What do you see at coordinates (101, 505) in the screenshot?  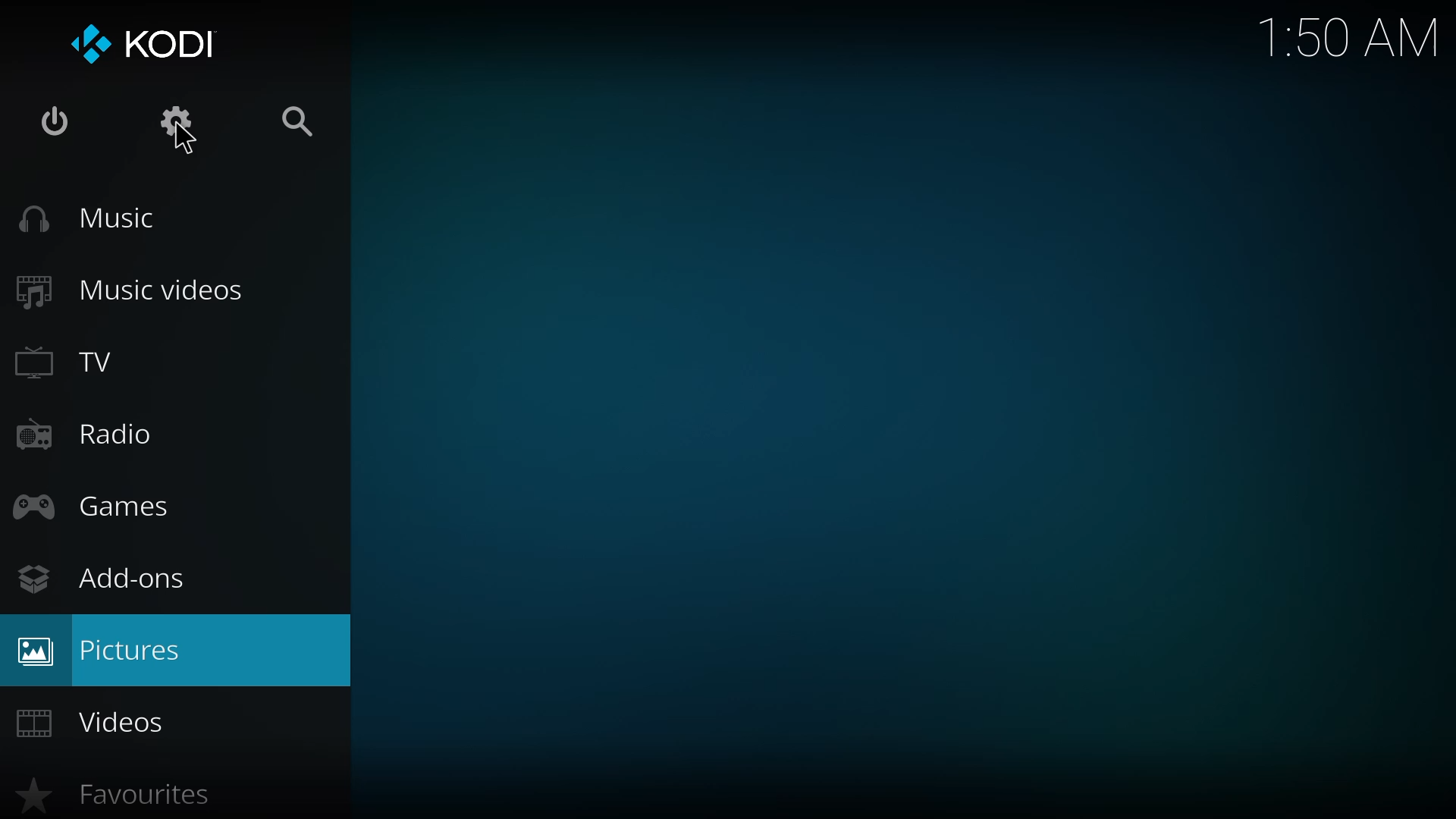 I see `games` at bounding box center [101, 505].